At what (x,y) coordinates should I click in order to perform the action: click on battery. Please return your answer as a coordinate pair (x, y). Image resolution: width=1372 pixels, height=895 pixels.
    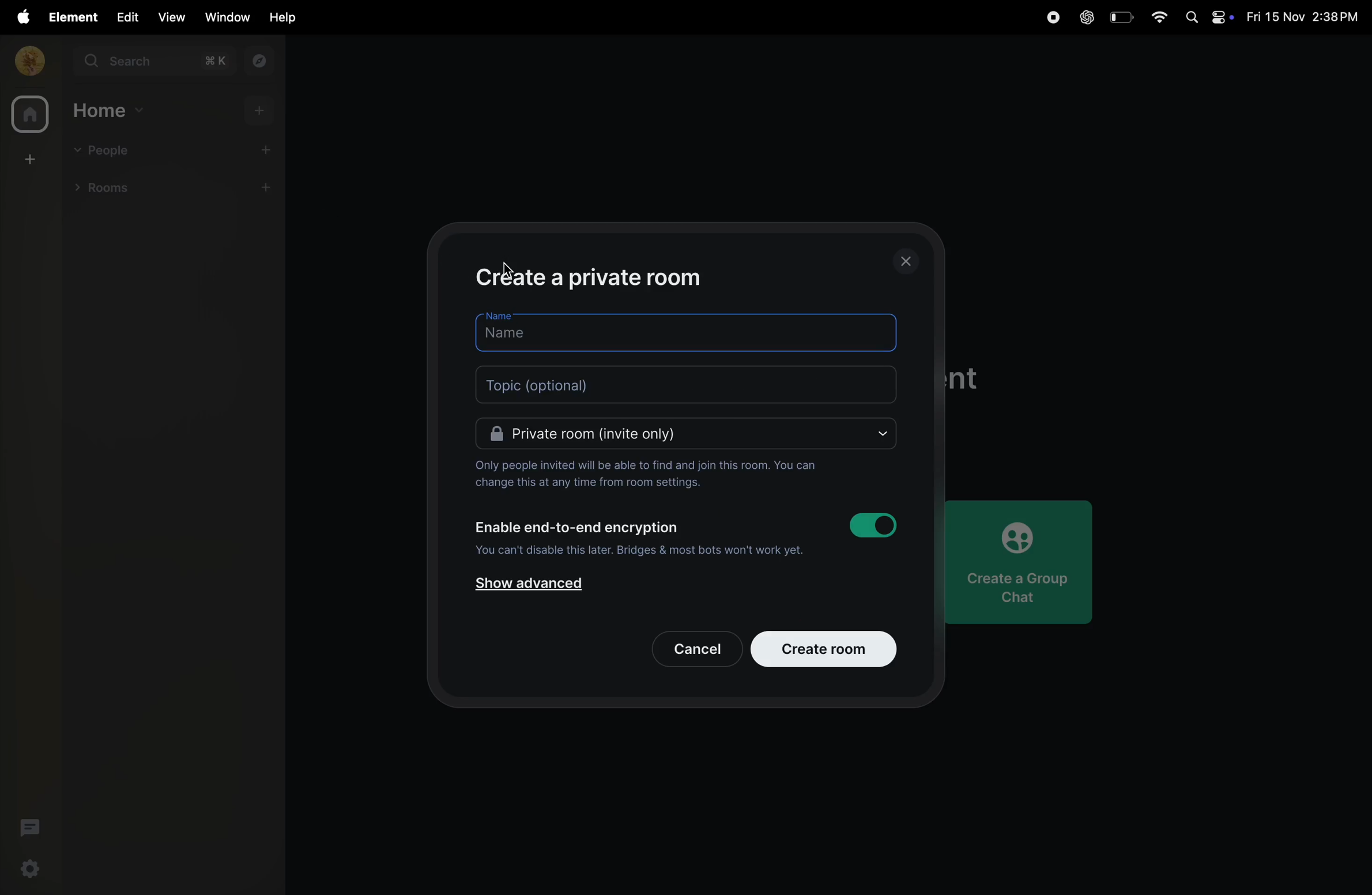
    Looking at the image, I should click on (1120, 17).